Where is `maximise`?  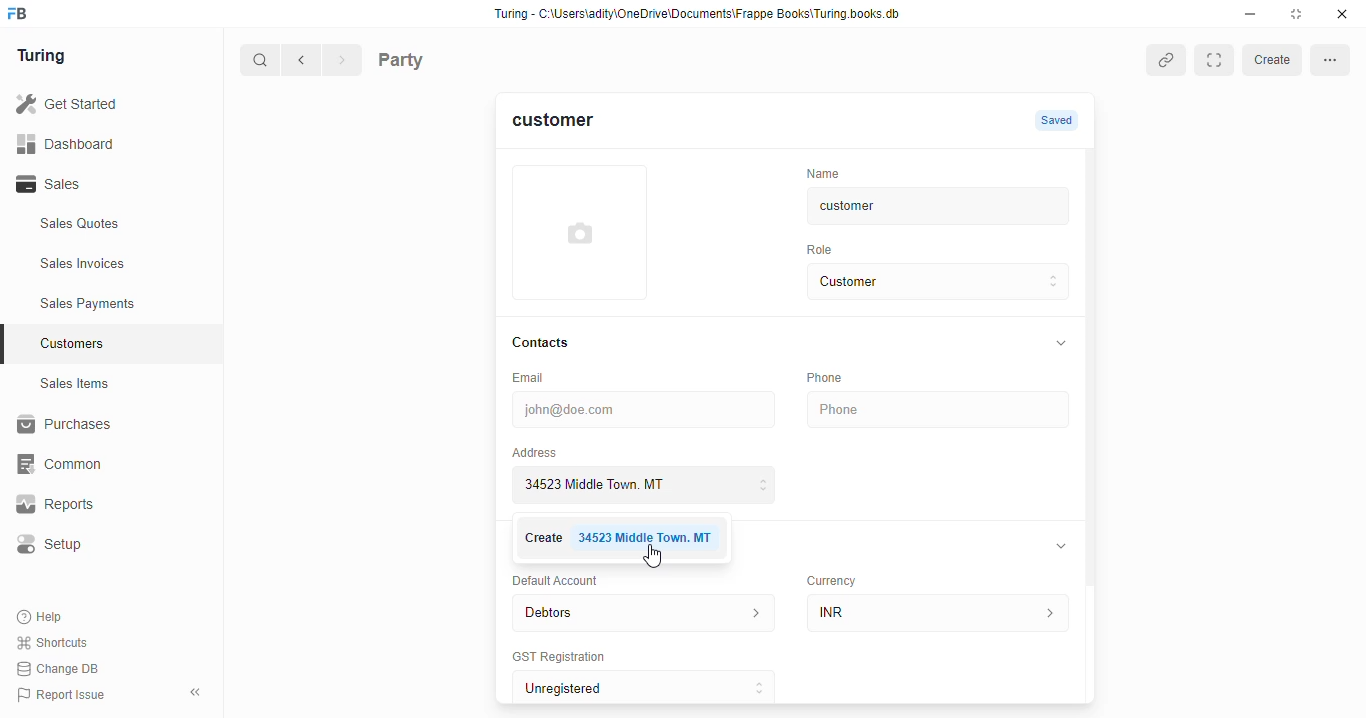 maximise is located at coordinates (1300, 14).